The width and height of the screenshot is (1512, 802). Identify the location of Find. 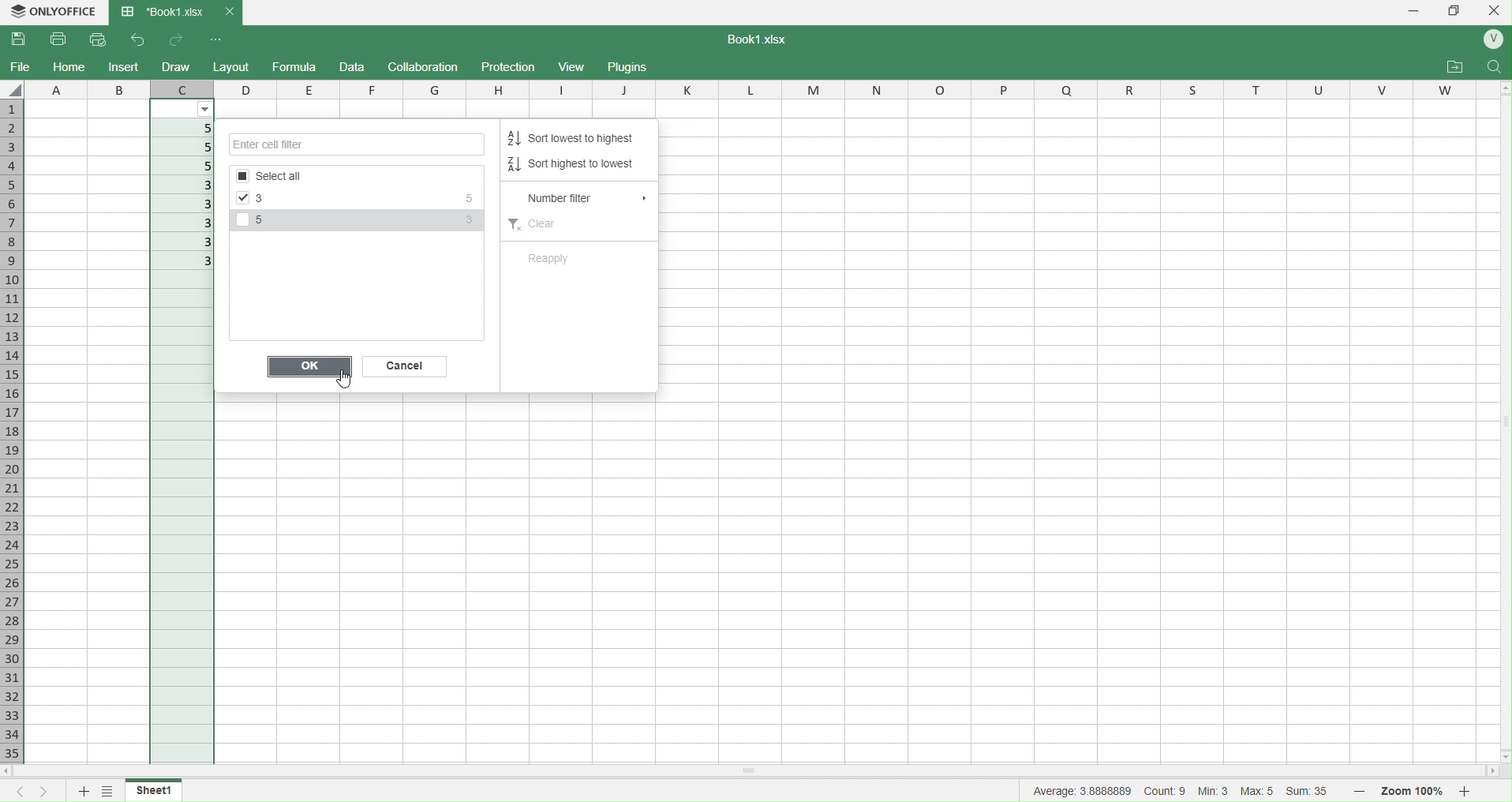
(1492, 68).